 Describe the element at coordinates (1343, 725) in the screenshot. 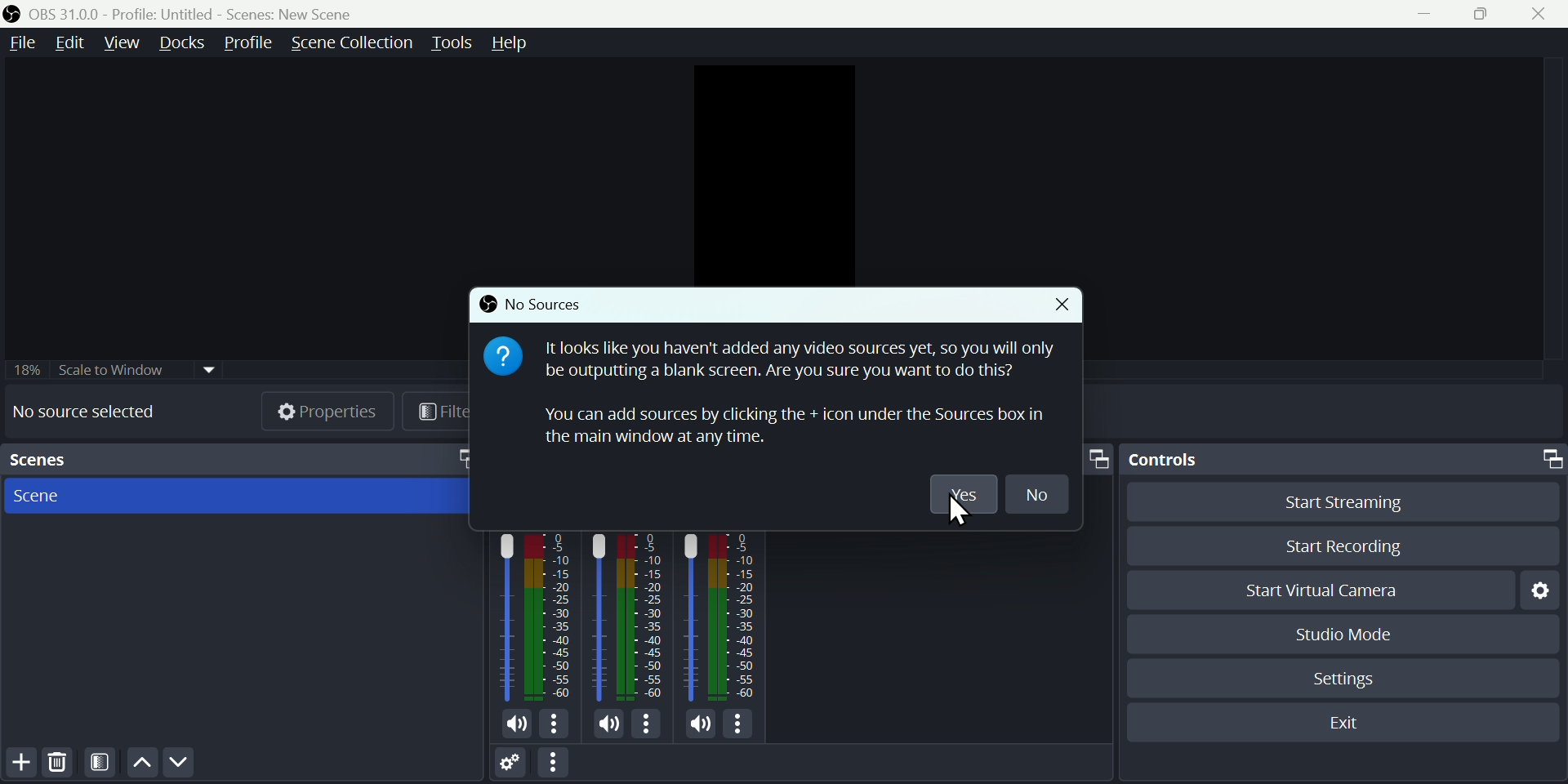

I see `Exit` at that location.